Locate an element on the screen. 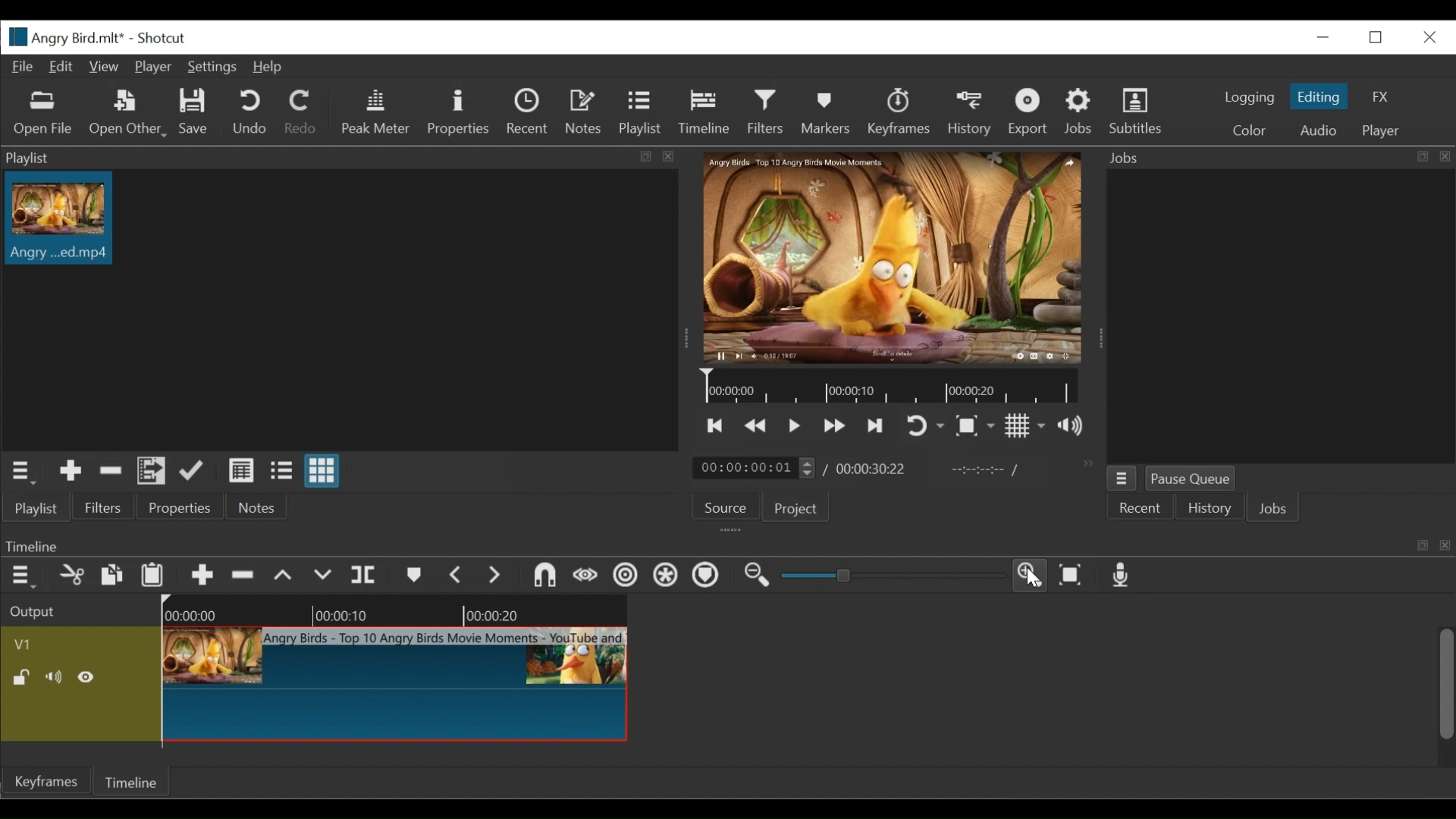  Lift is located at coordinates (286, 575).